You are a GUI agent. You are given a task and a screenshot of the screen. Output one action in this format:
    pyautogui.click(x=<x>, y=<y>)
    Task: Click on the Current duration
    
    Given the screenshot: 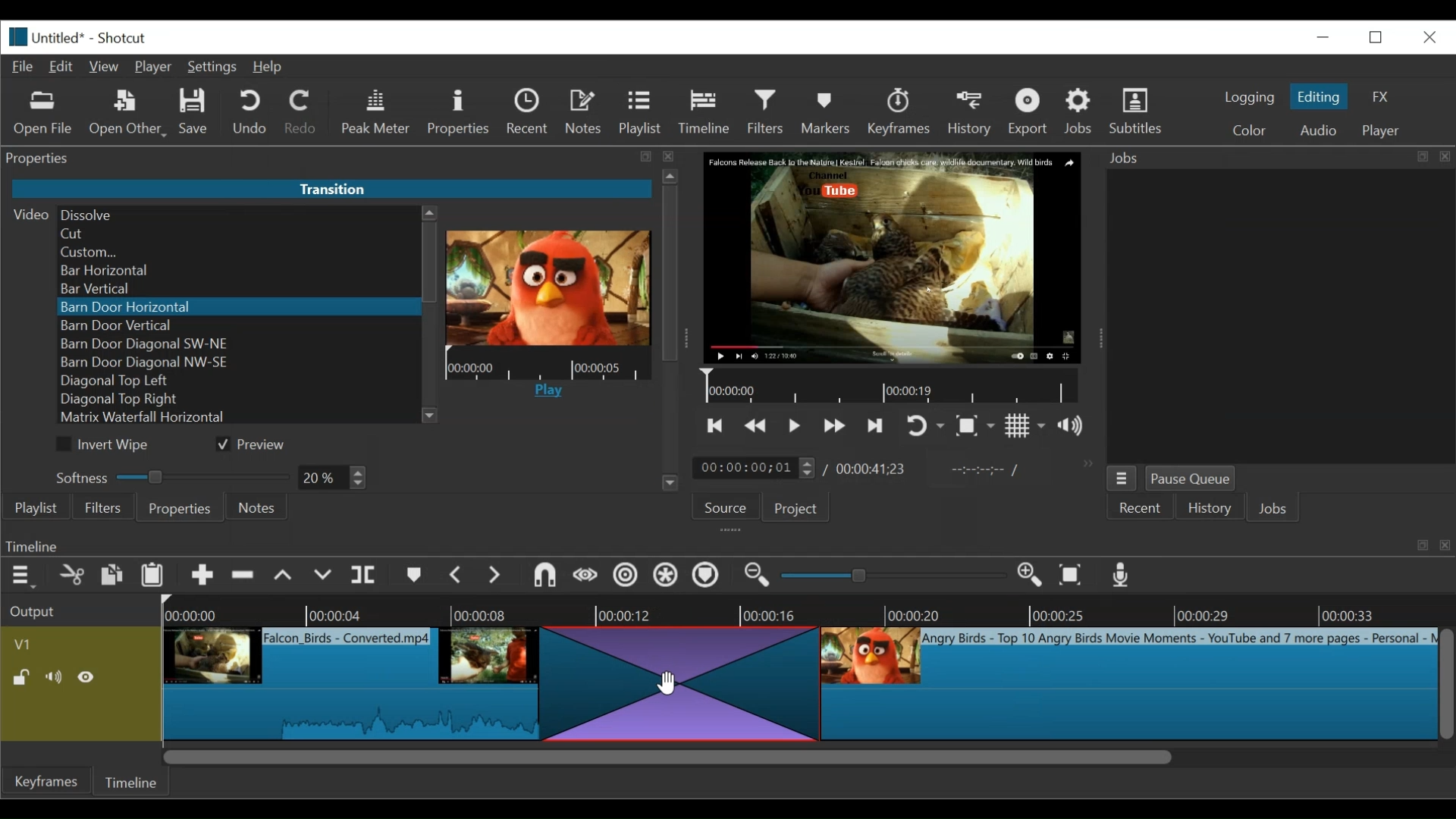 What is the action you would take?
    pyautogui.click(x=757, y=467)
    